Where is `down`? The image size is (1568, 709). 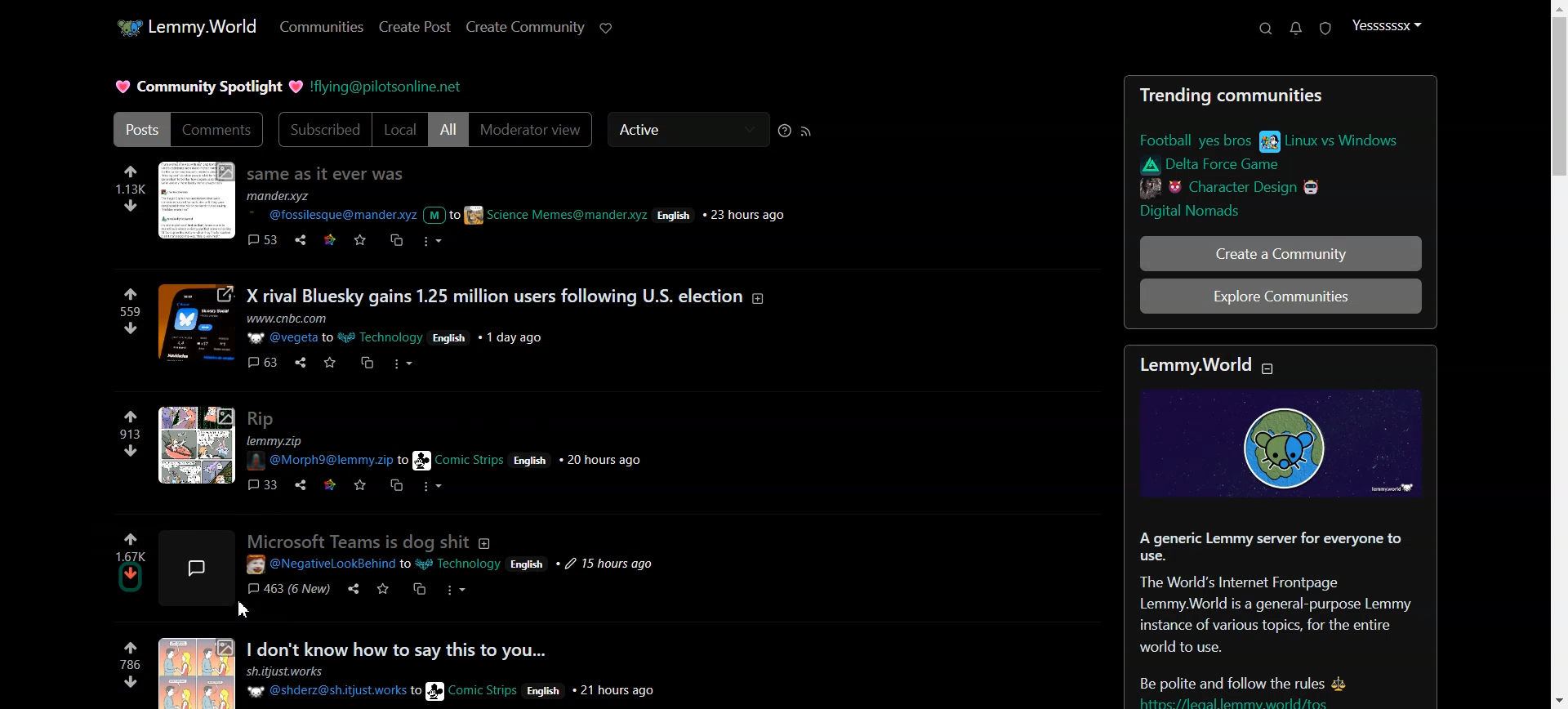
down is located at coordinates (130, 204).